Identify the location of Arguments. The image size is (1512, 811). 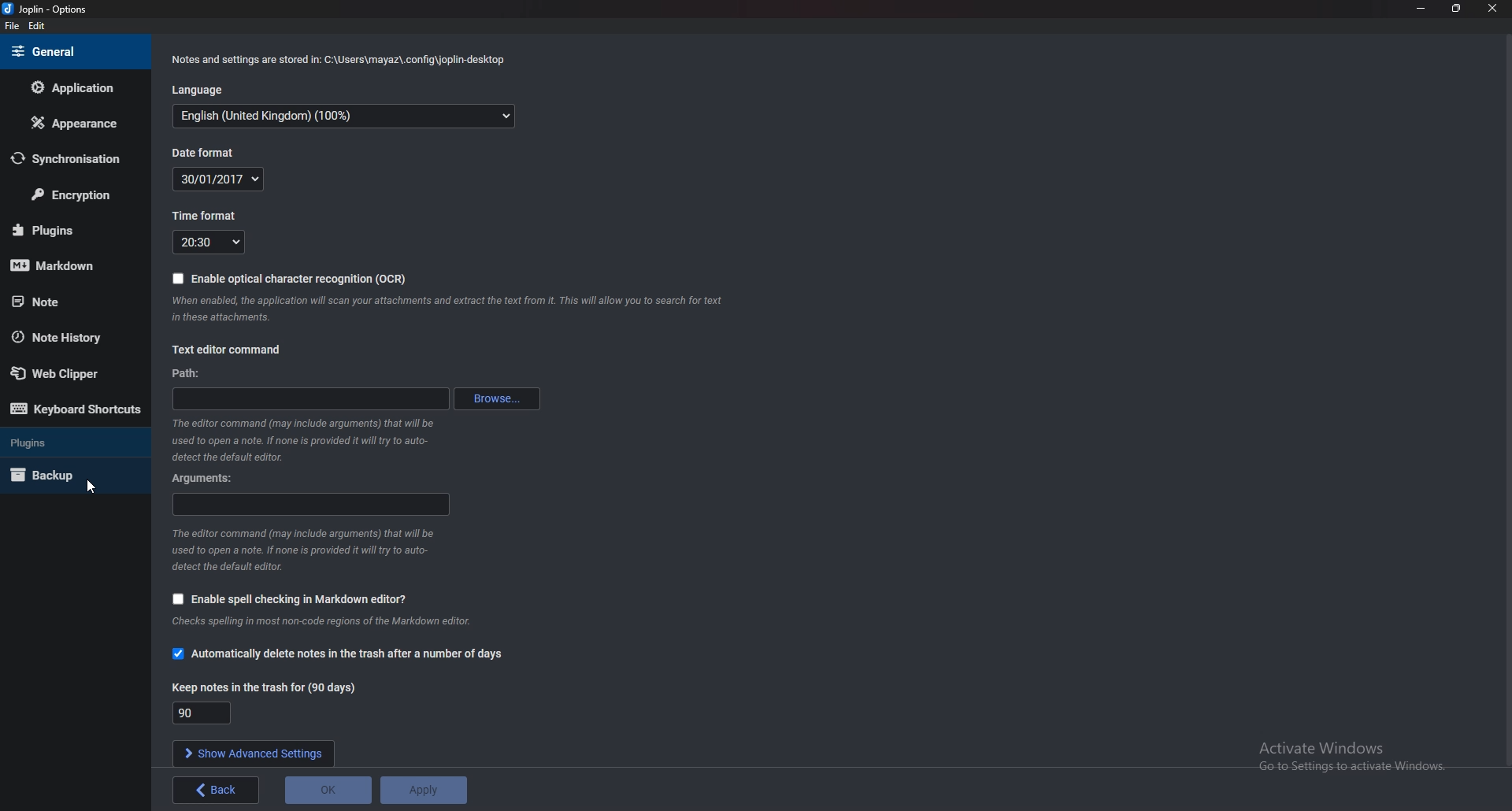
(206, 479).